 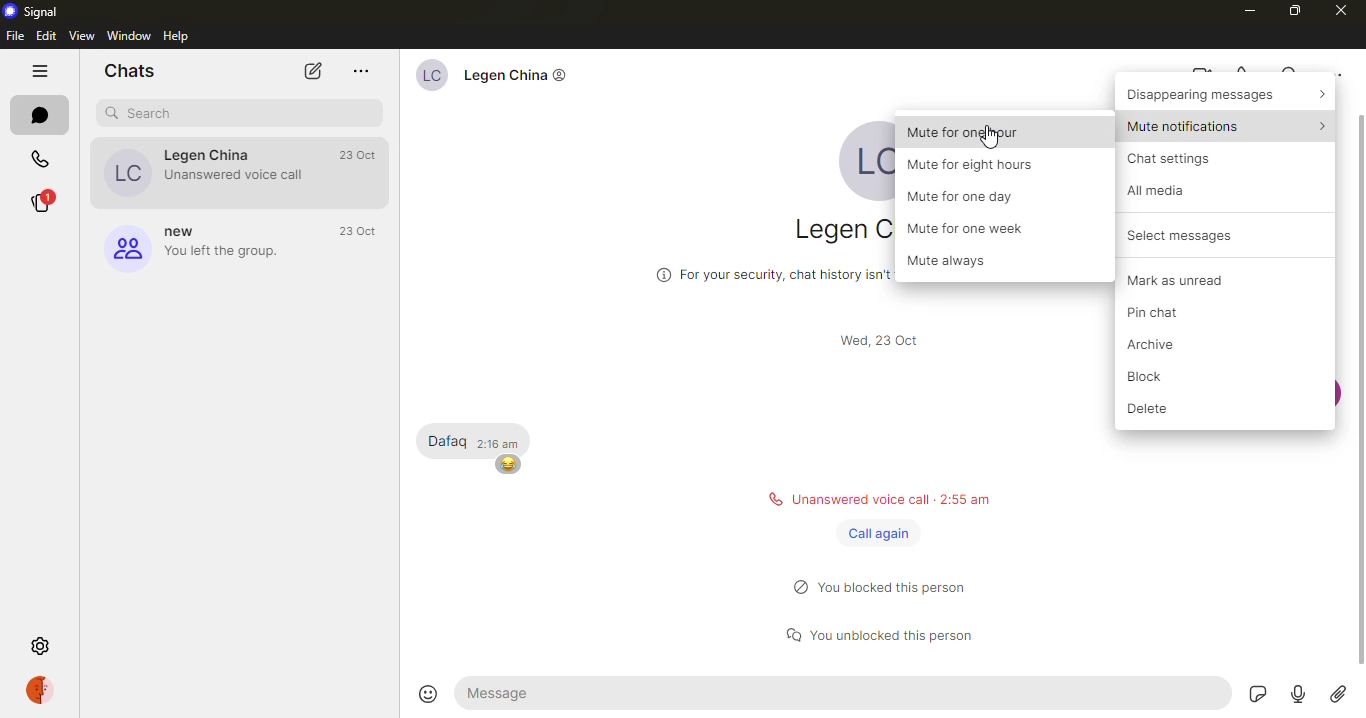 What do you see at coordinates (886, 342) in the screenshot?
I see `time` at bounding box center [886, 342].